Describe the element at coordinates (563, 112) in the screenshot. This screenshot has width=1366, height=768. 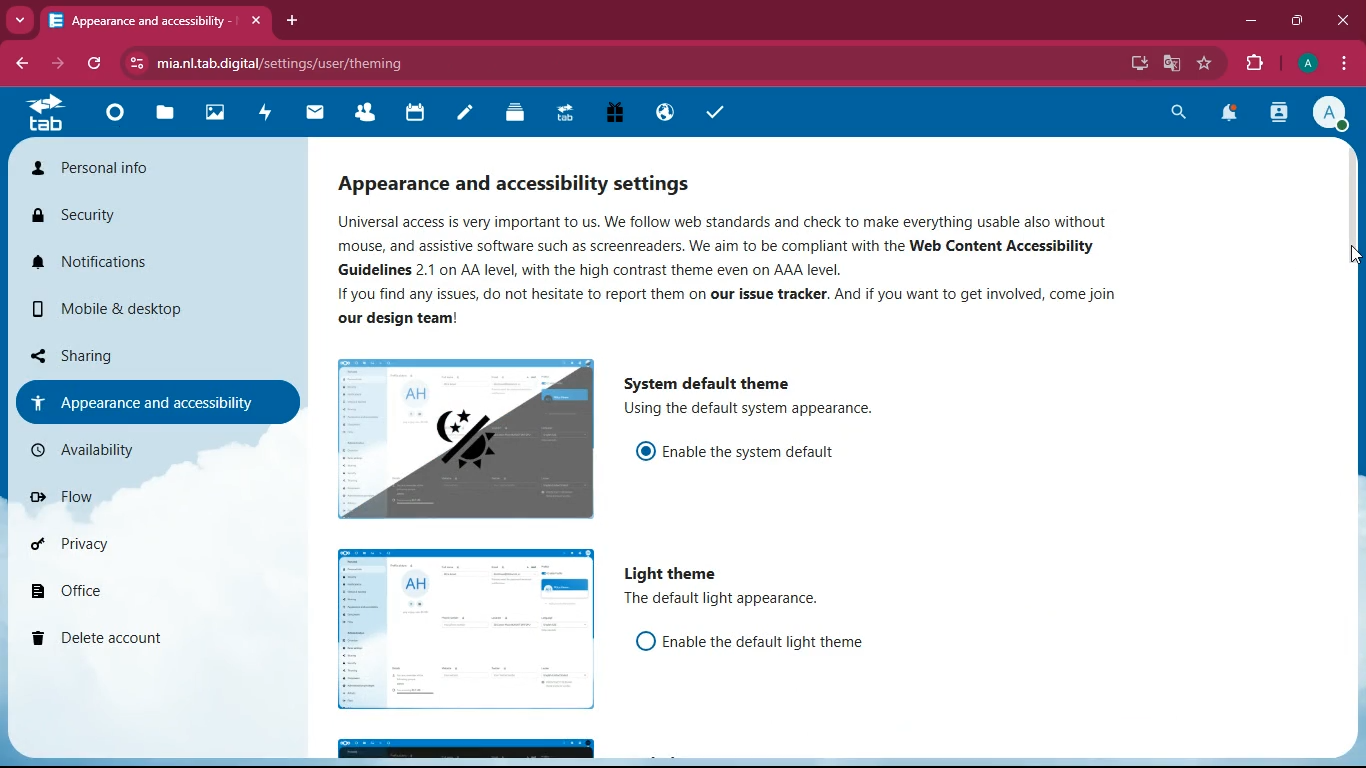
I see `tab` at that location.